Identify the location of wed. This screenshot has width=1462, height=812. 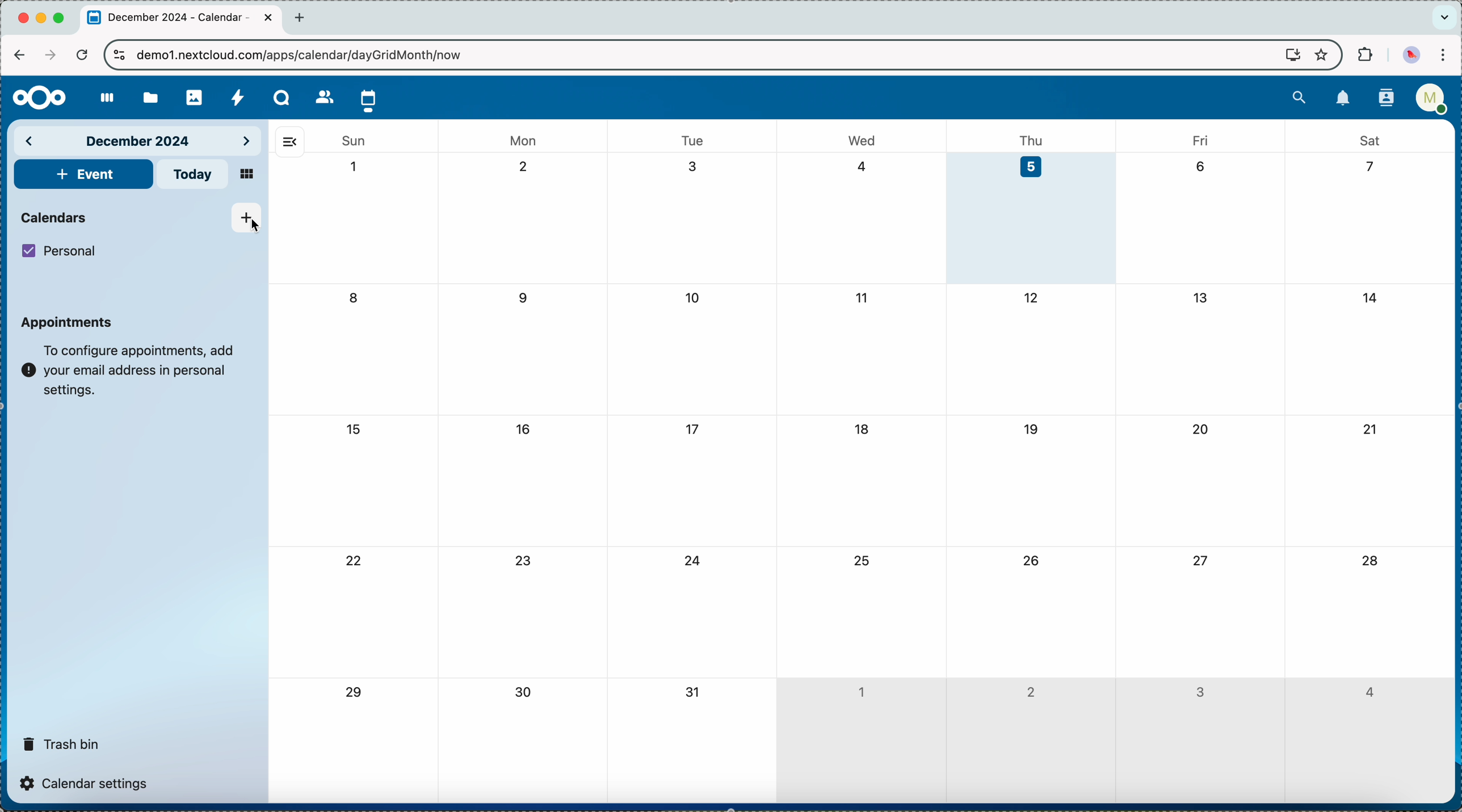
(863, 140).